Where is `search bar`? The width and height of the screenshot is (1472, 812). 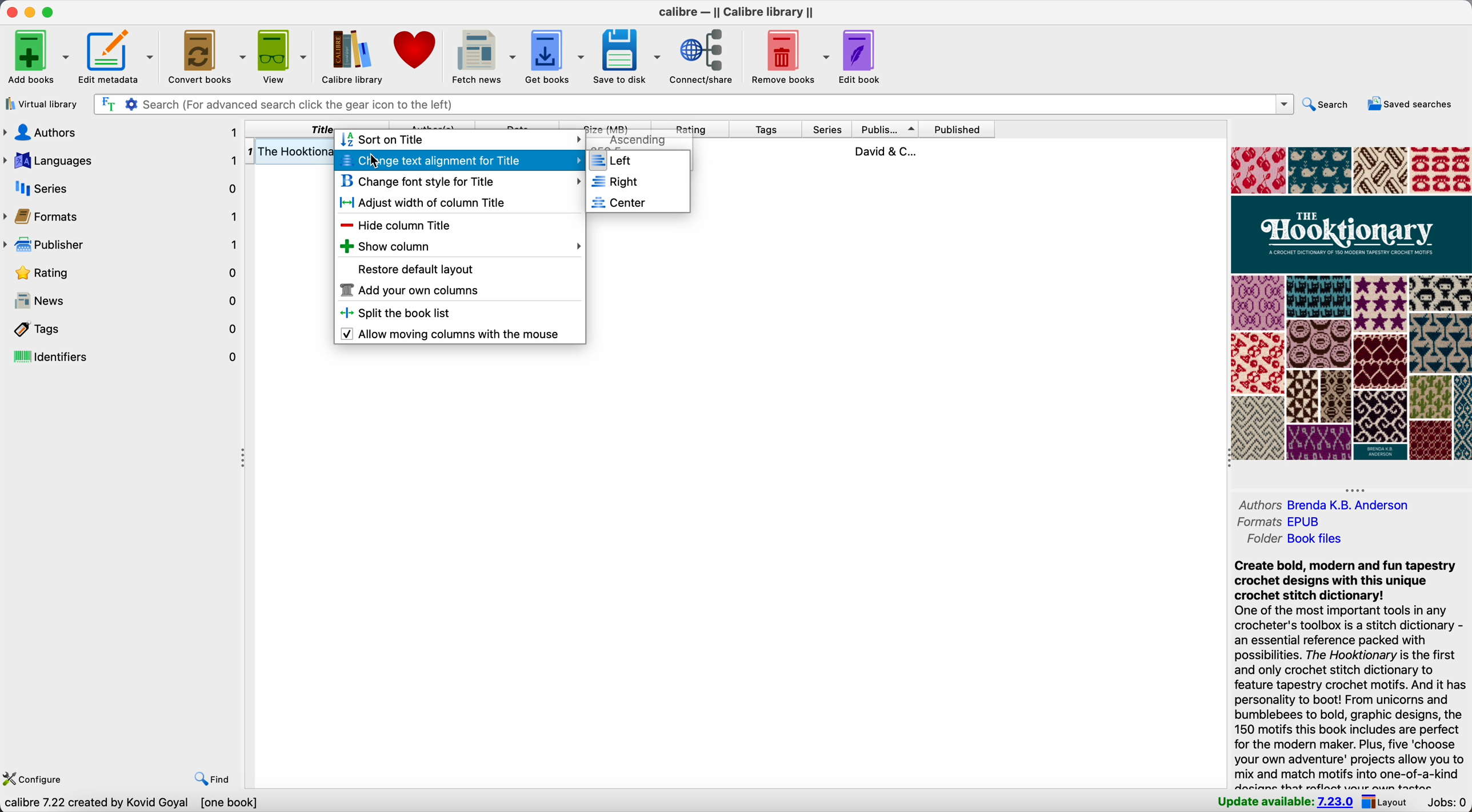
search bar is located at coordinates (689, 105).